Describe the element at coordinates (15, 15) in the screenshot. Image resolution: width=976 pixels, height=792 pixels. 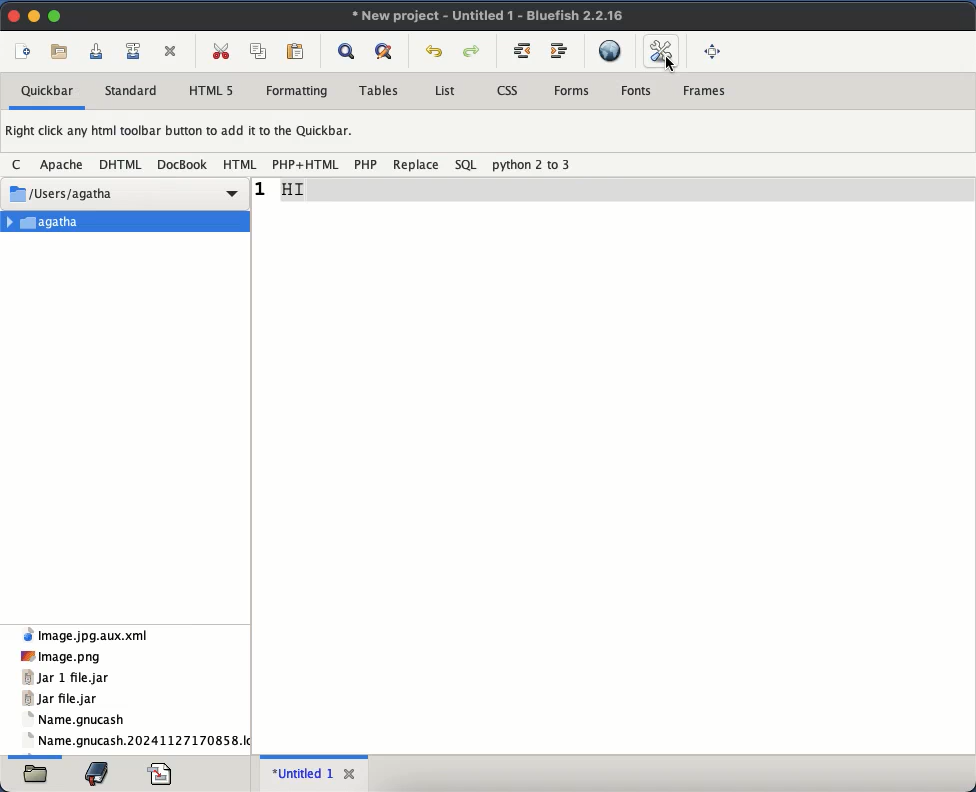
I see `close` at that location.